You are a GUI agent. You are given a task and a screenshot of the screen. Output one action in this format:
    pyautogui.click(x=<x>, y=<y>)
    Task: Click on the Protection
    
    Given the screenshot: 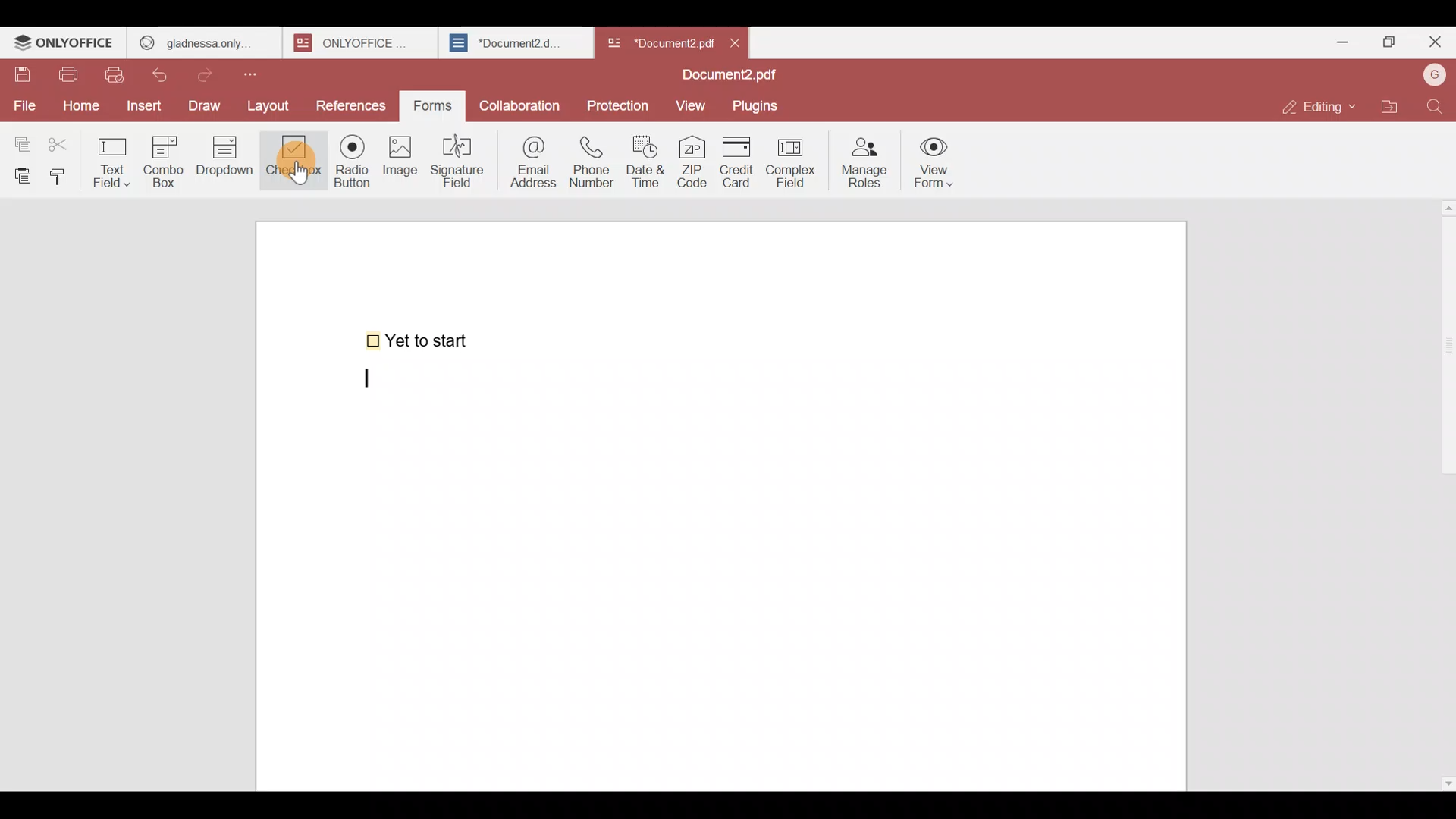 What is the action you would take?
    pyautogui.click(x=619, y=105)
    